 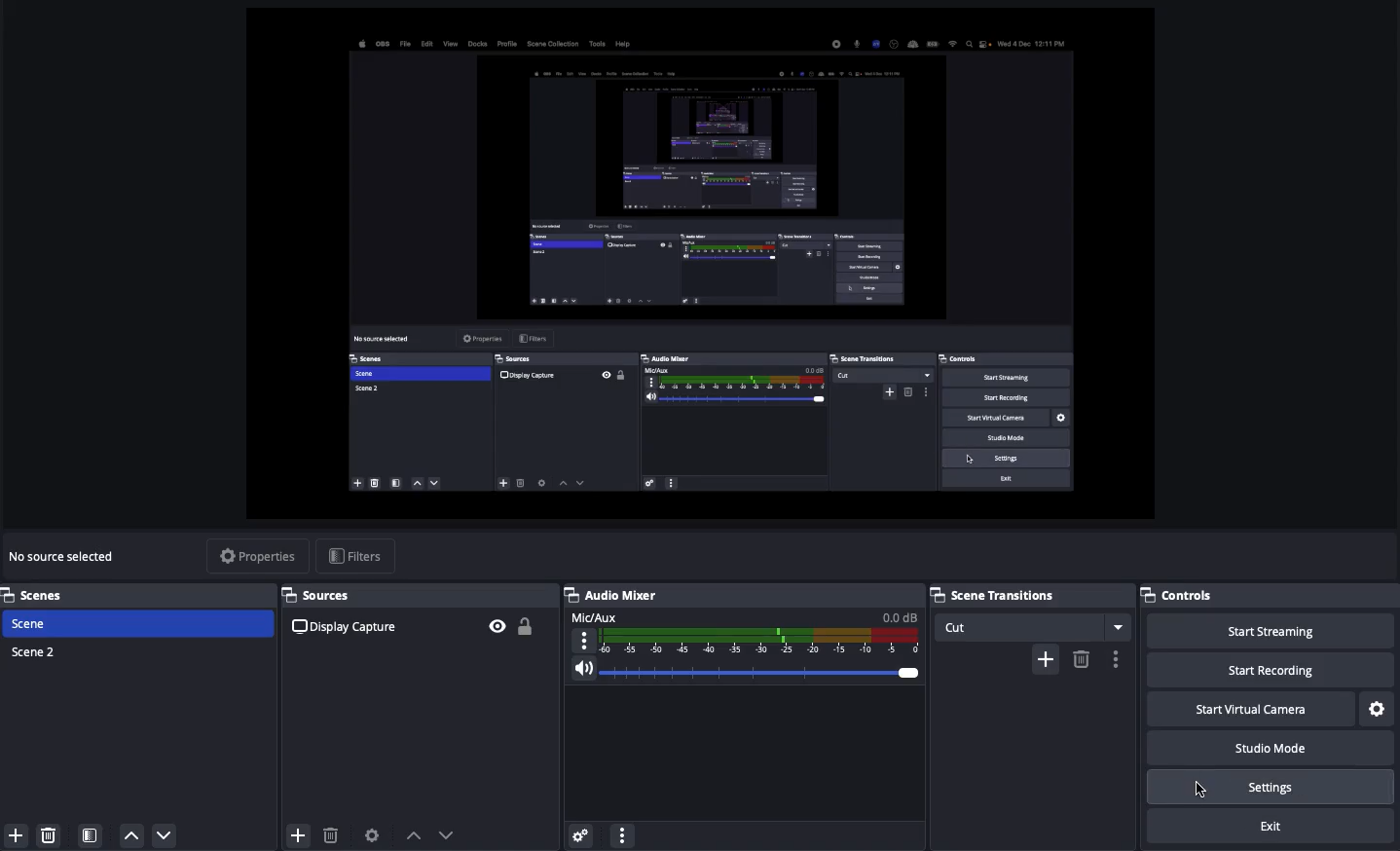 What do you see at coordinates (1197, 788) in the screenshot?
I see `Cursor` at bounding box center [1197, 788].